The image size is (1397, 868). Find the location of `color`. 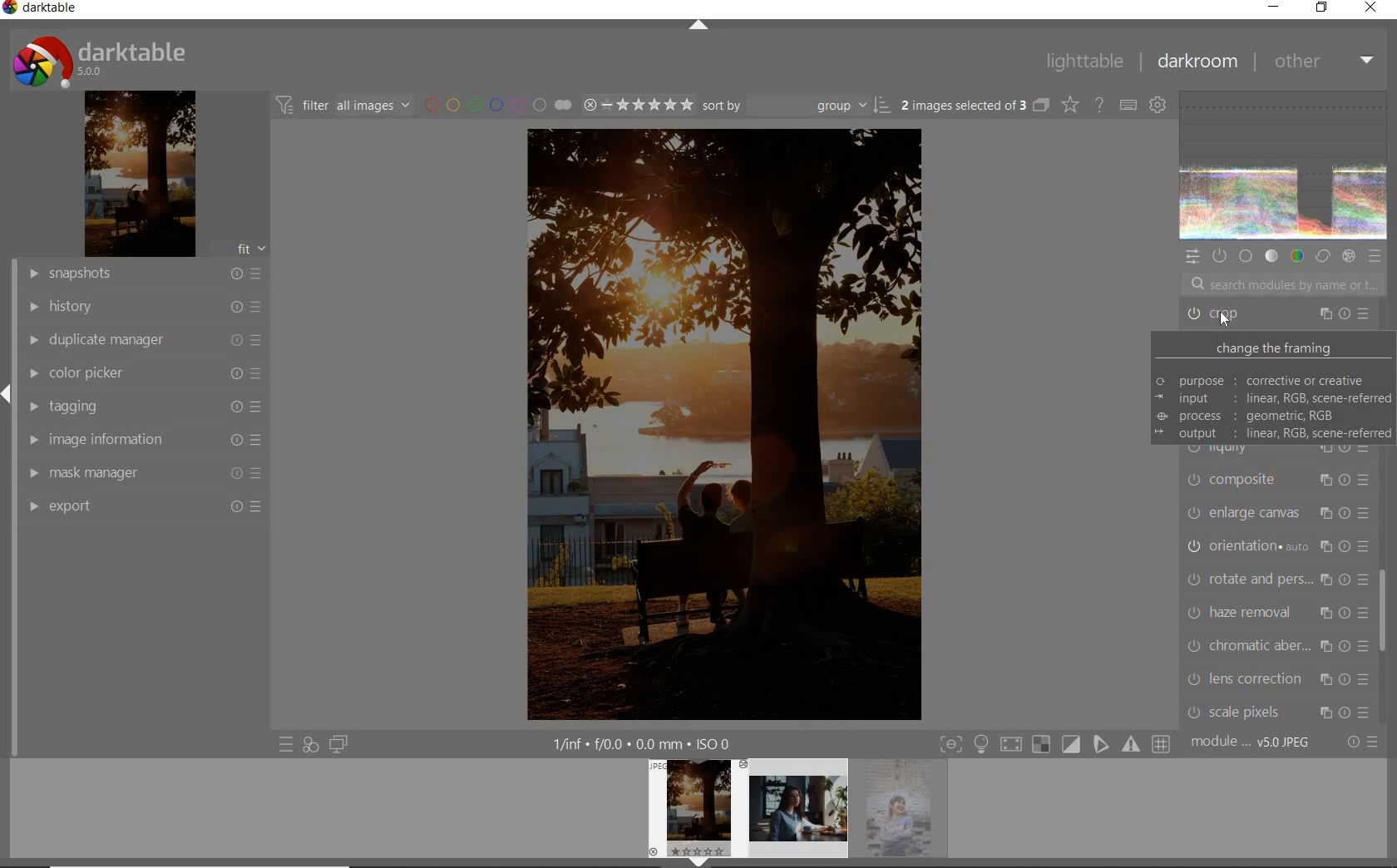

color is located at coordinates (1296, 257).